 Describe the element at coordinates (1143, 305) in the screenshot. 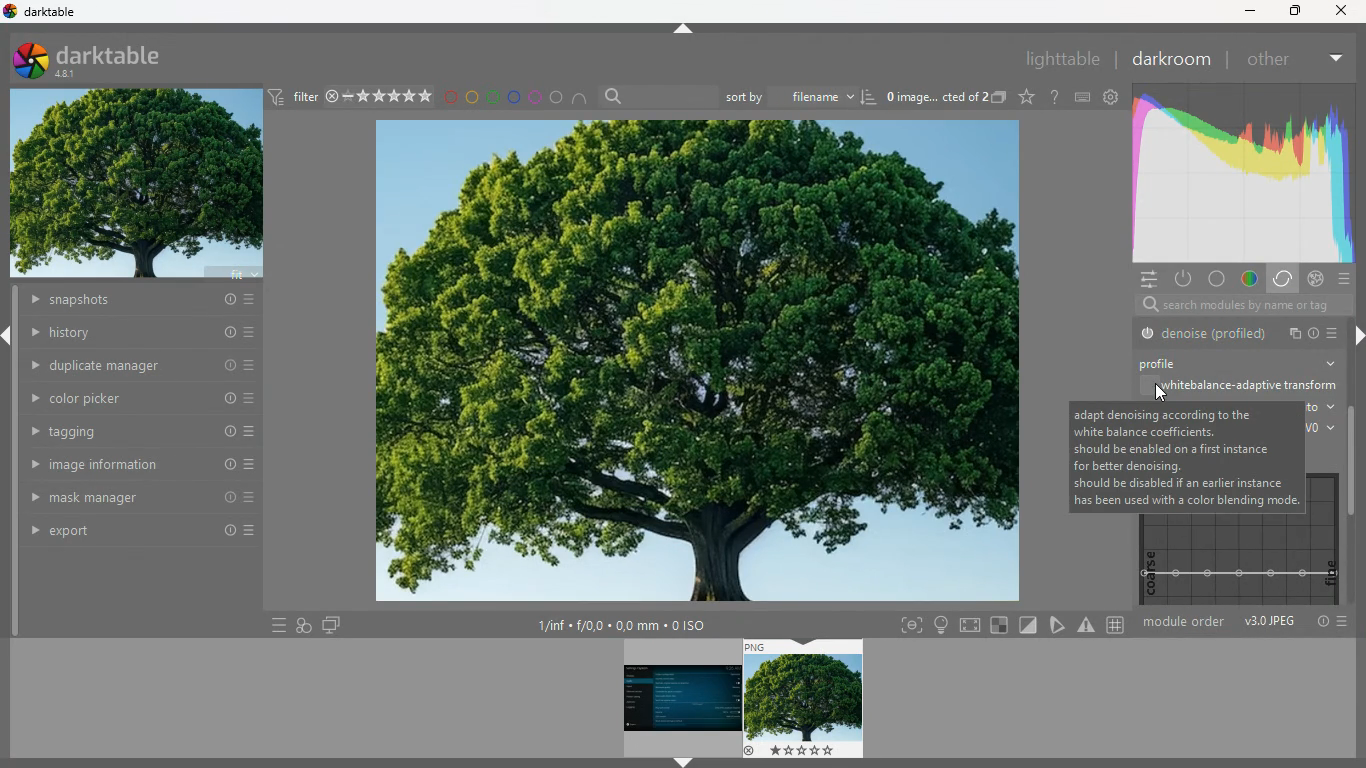

I see `search` at that location.